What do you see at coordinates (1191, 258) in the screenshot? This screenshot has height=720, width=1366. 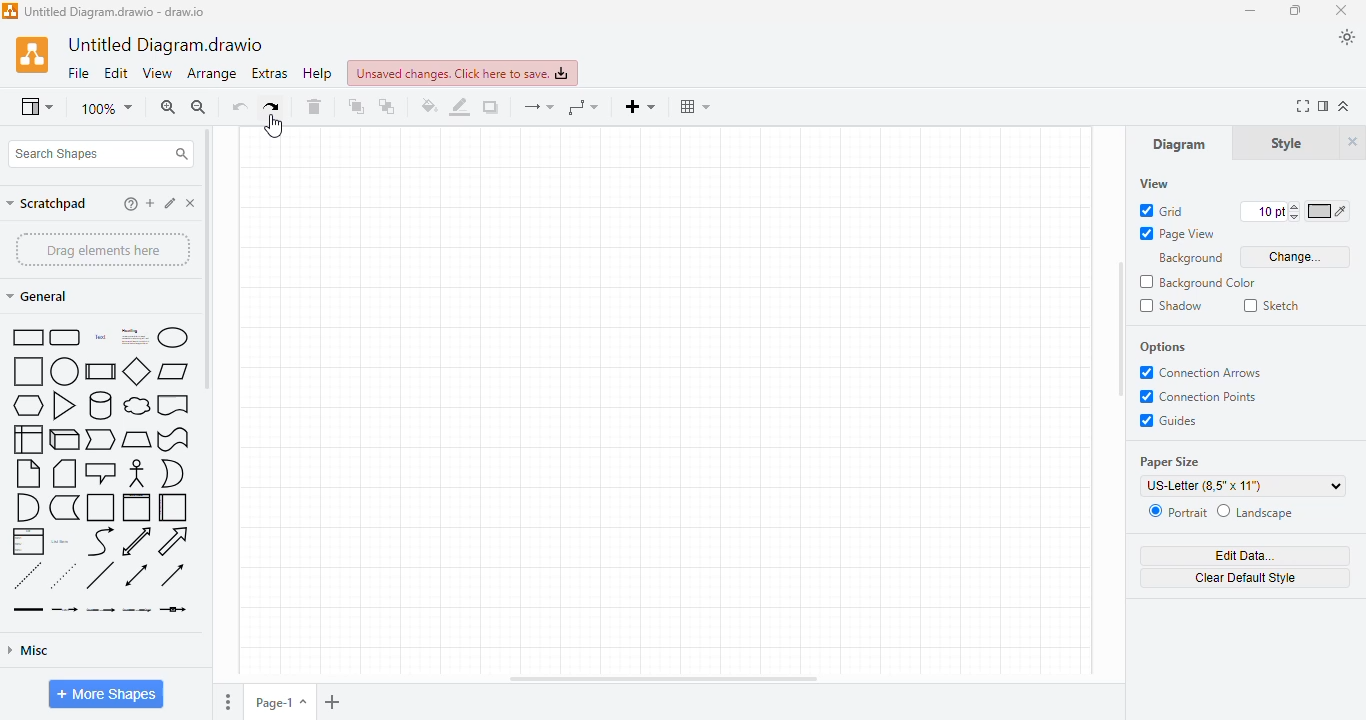 I see `background` at bounding box center [1191, 258].